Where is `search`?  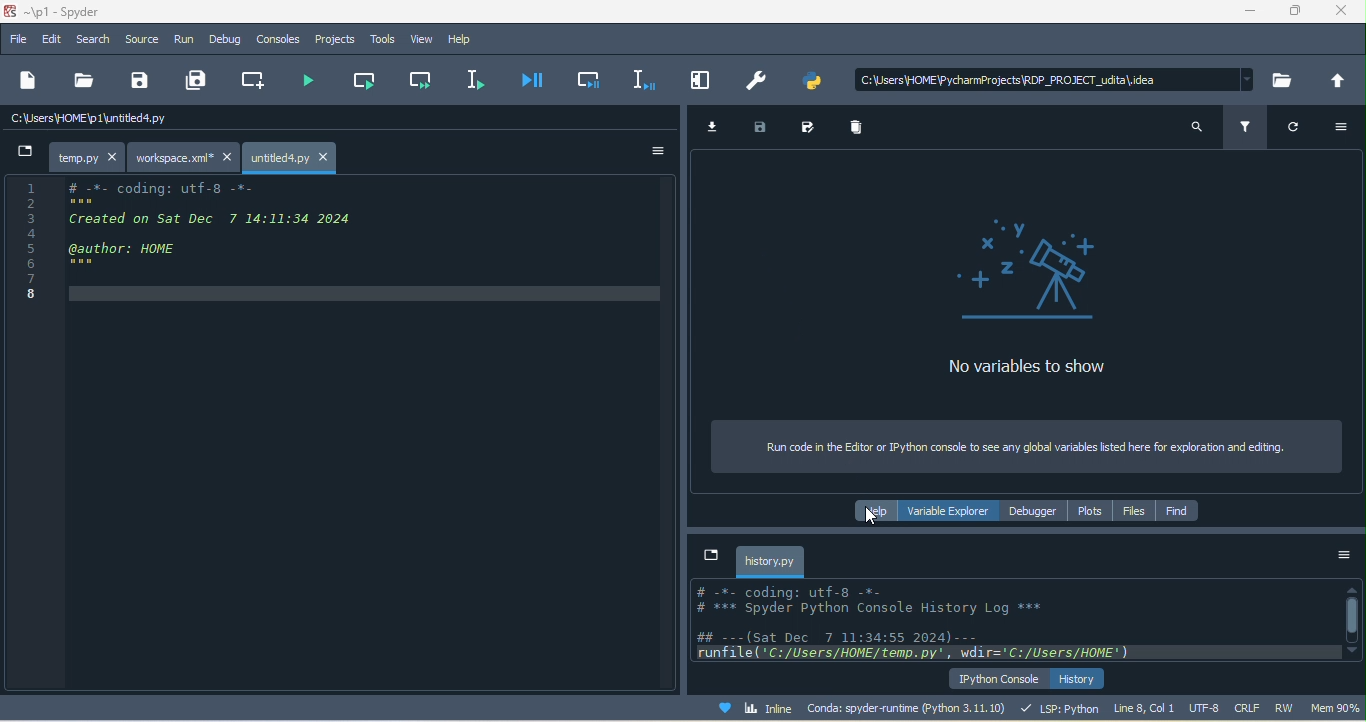
search is located at coordinates (1190, 128).